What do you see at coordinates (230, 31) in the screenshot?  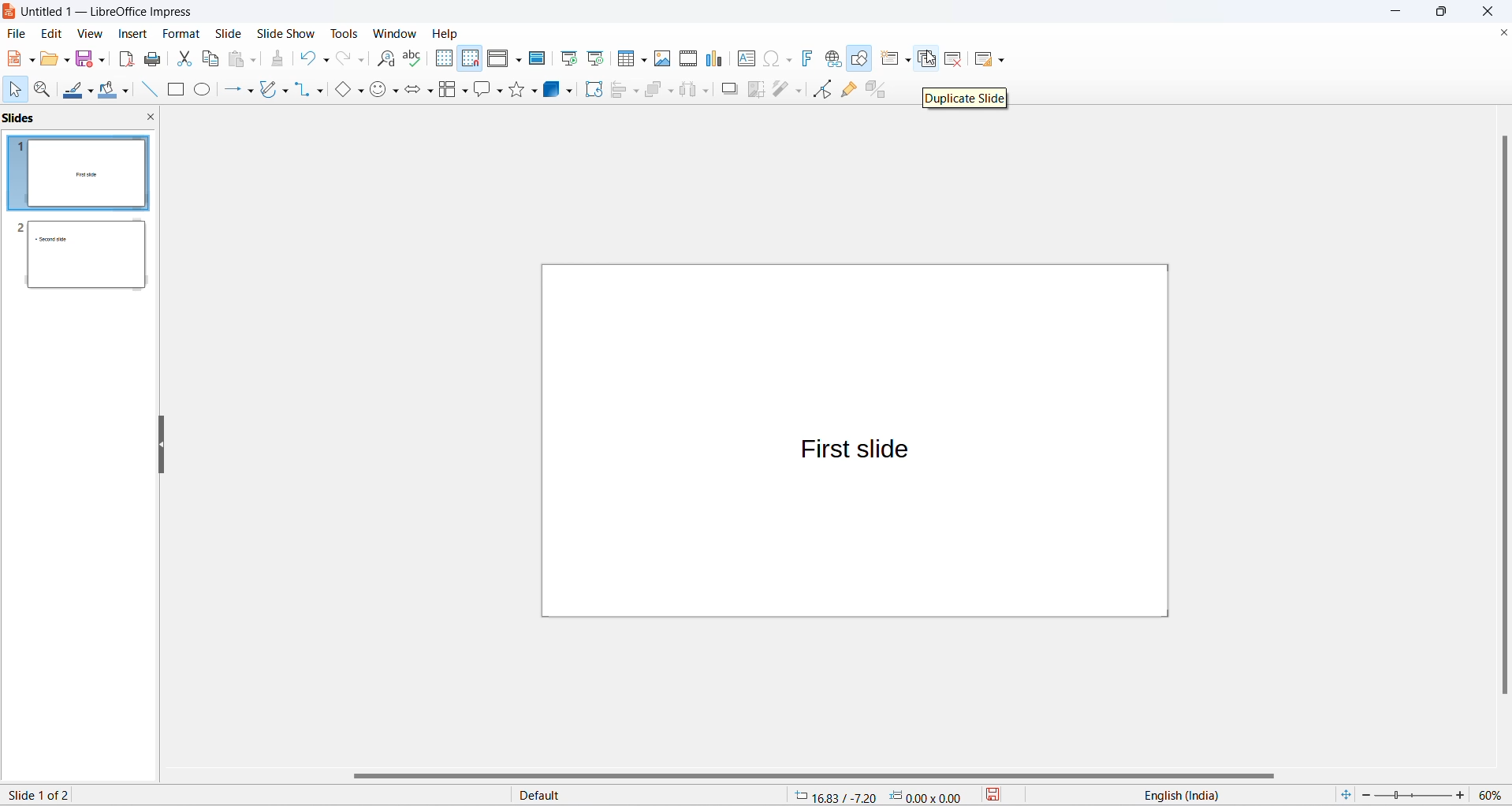 I see `` at bounding box center [230, 31].